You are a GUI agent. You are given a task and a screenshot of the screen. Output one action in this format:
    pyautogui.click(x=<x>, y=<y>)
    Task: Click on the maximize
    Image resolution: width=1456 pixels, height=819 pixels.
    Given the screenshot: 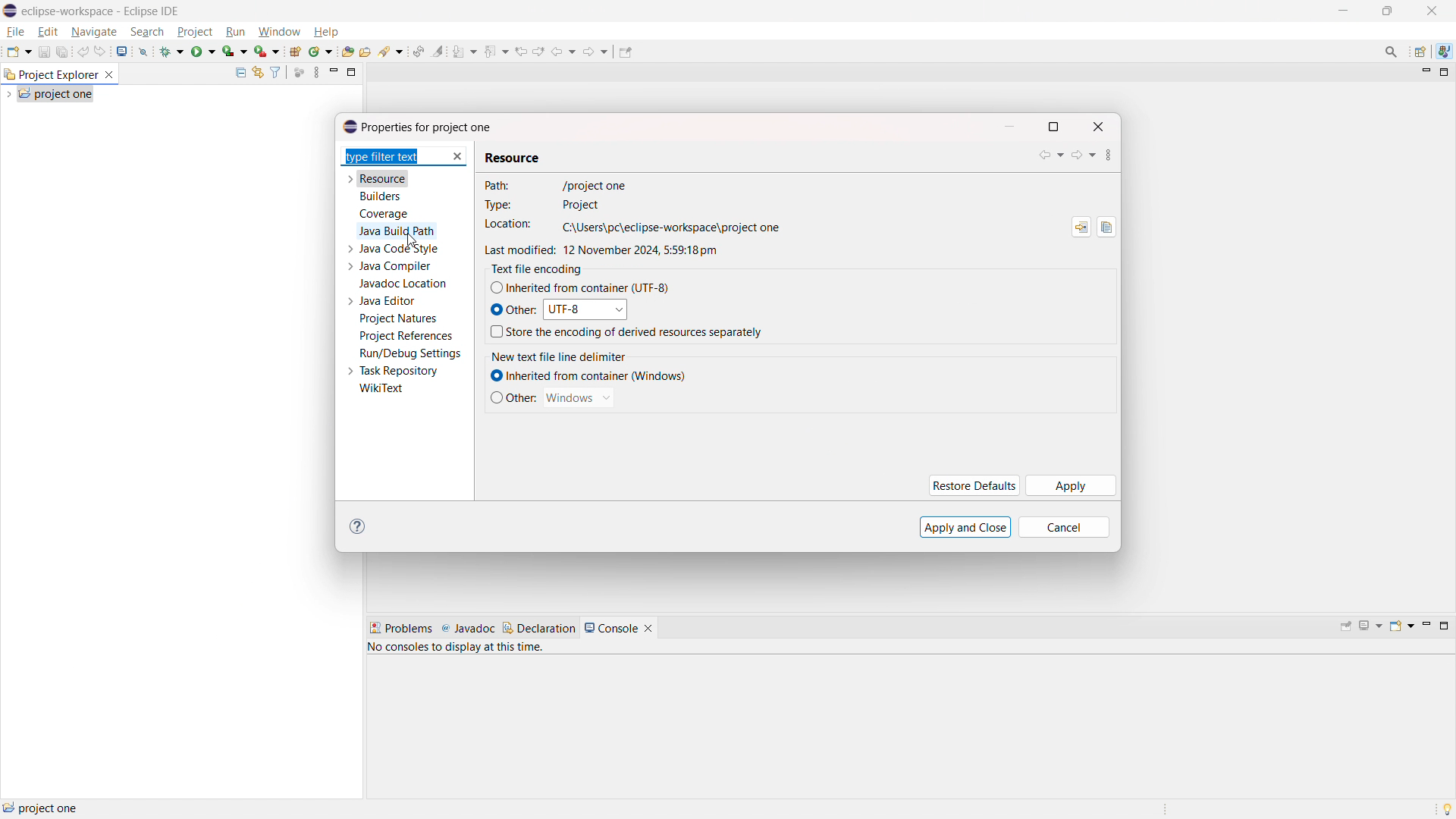 What is the action you would take?
    pyautogui.click(x=1342, y=11)
    